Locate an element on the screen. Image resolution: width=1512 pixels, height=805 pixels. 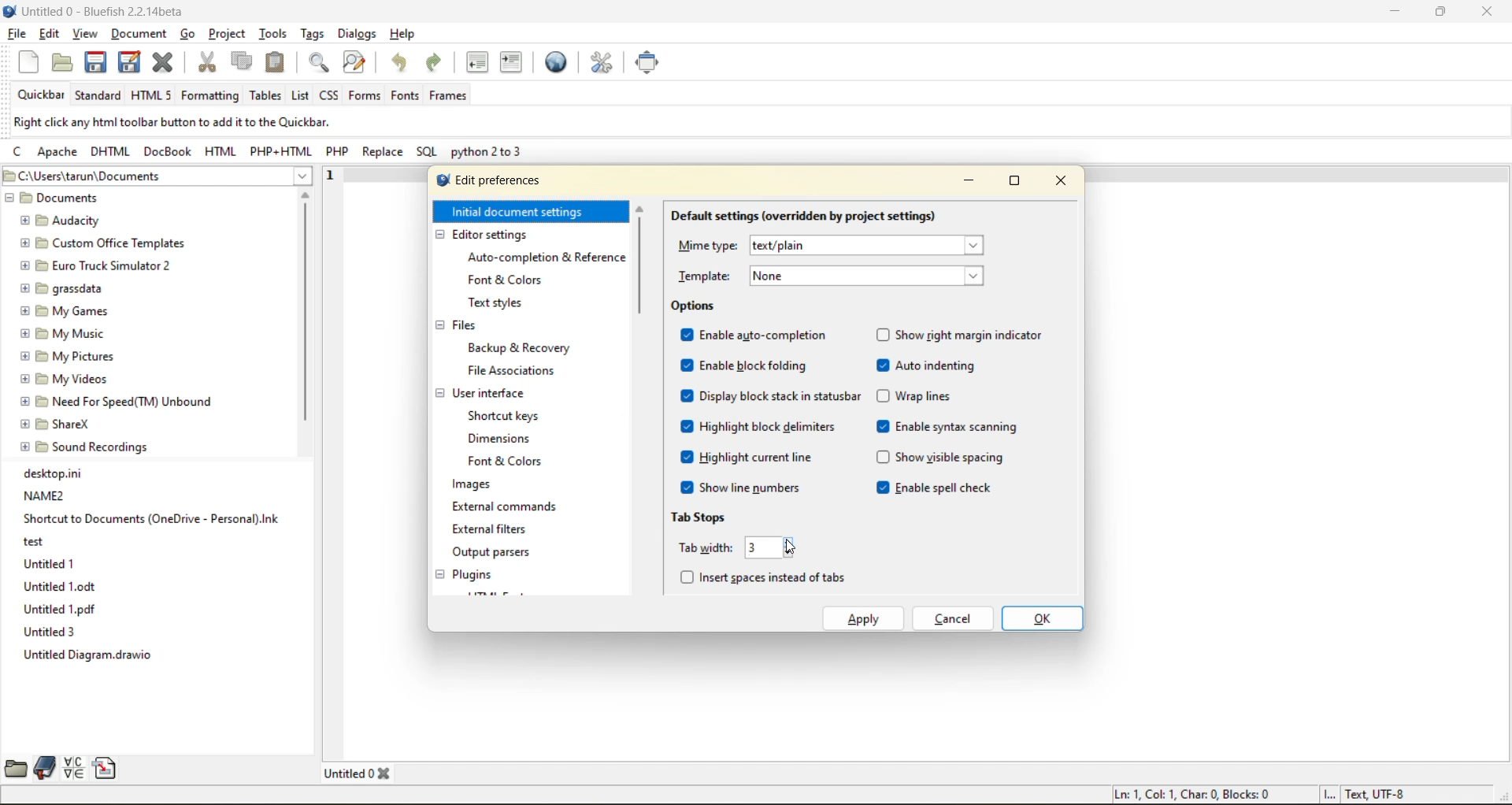
Untitled 1.odt is located at coordinates (57, 587).